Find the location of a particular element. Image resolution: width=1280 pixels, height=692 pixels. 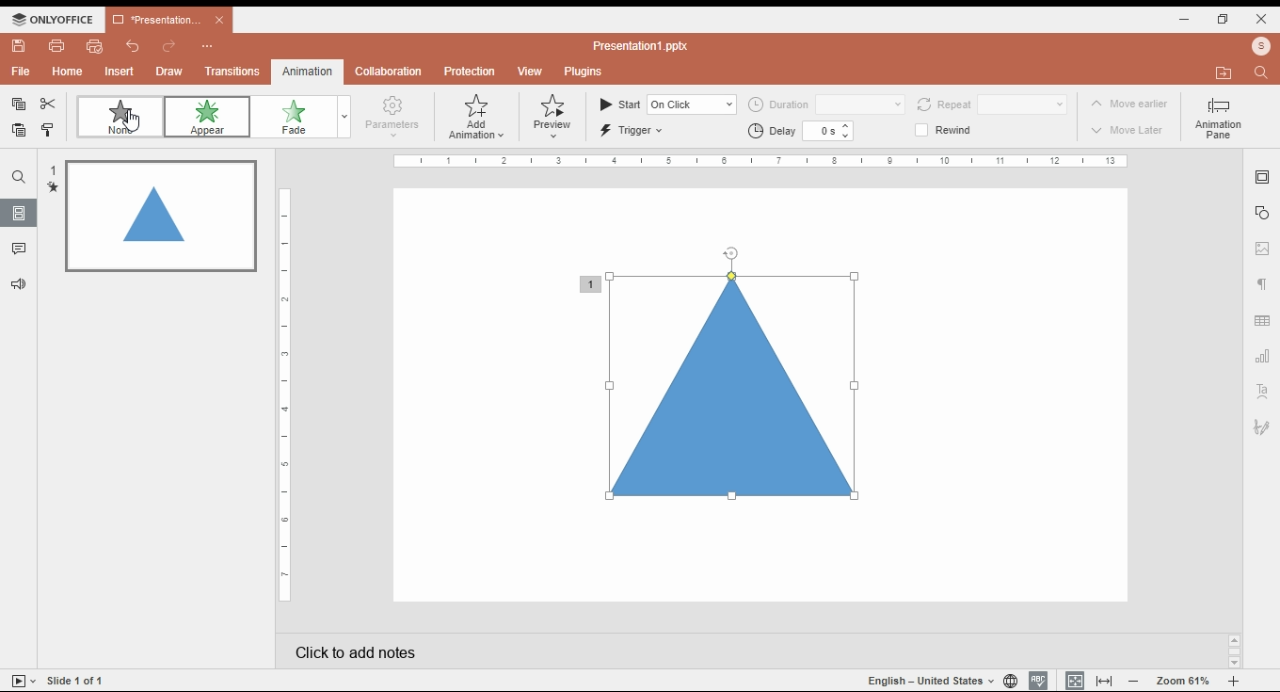

profile is located at coordinates (1263, 46).